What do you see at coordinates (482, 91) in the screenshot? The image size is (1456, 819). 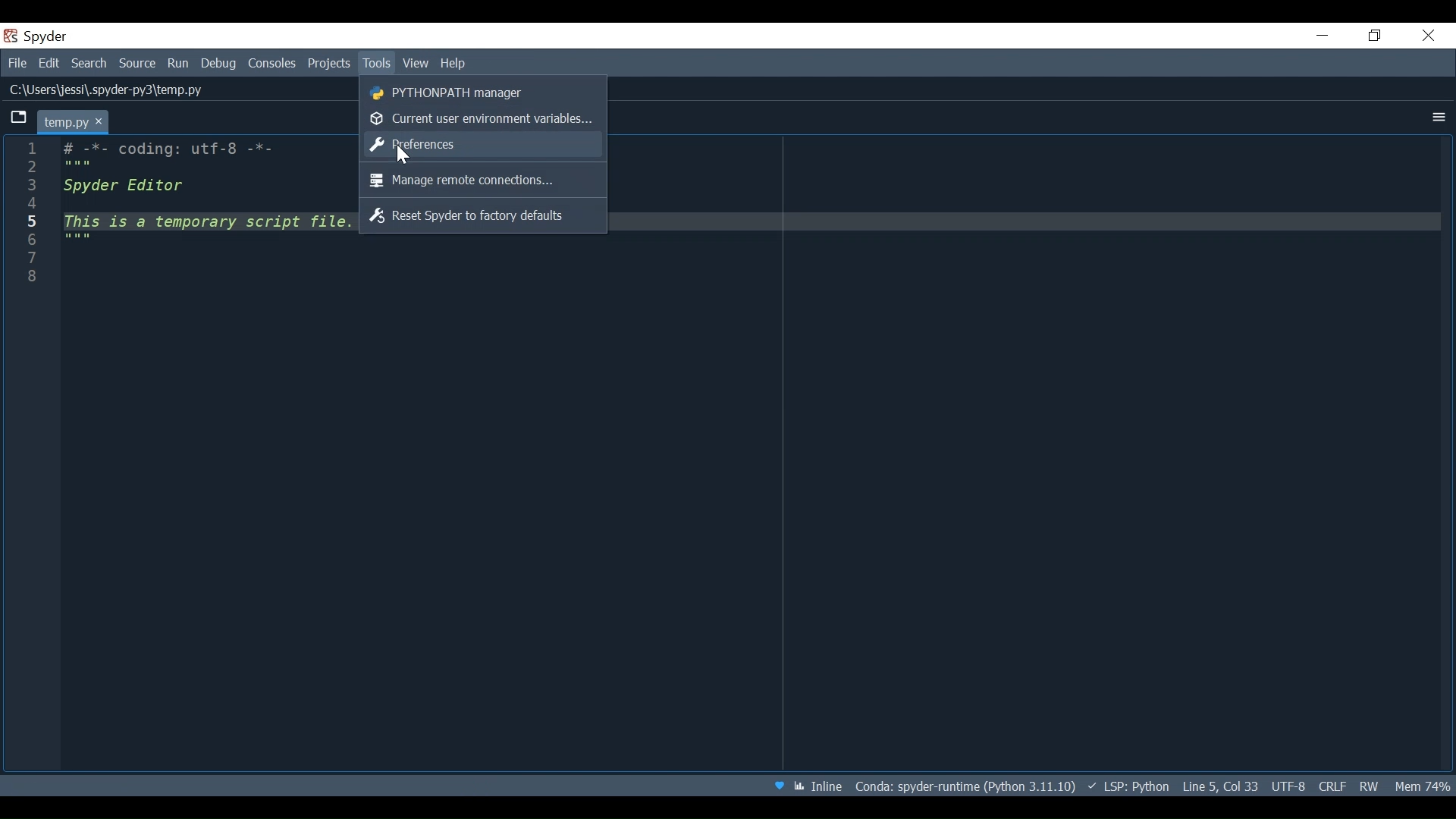 I see `PYTHONPATH Manager` at bounding box center [482, 91].